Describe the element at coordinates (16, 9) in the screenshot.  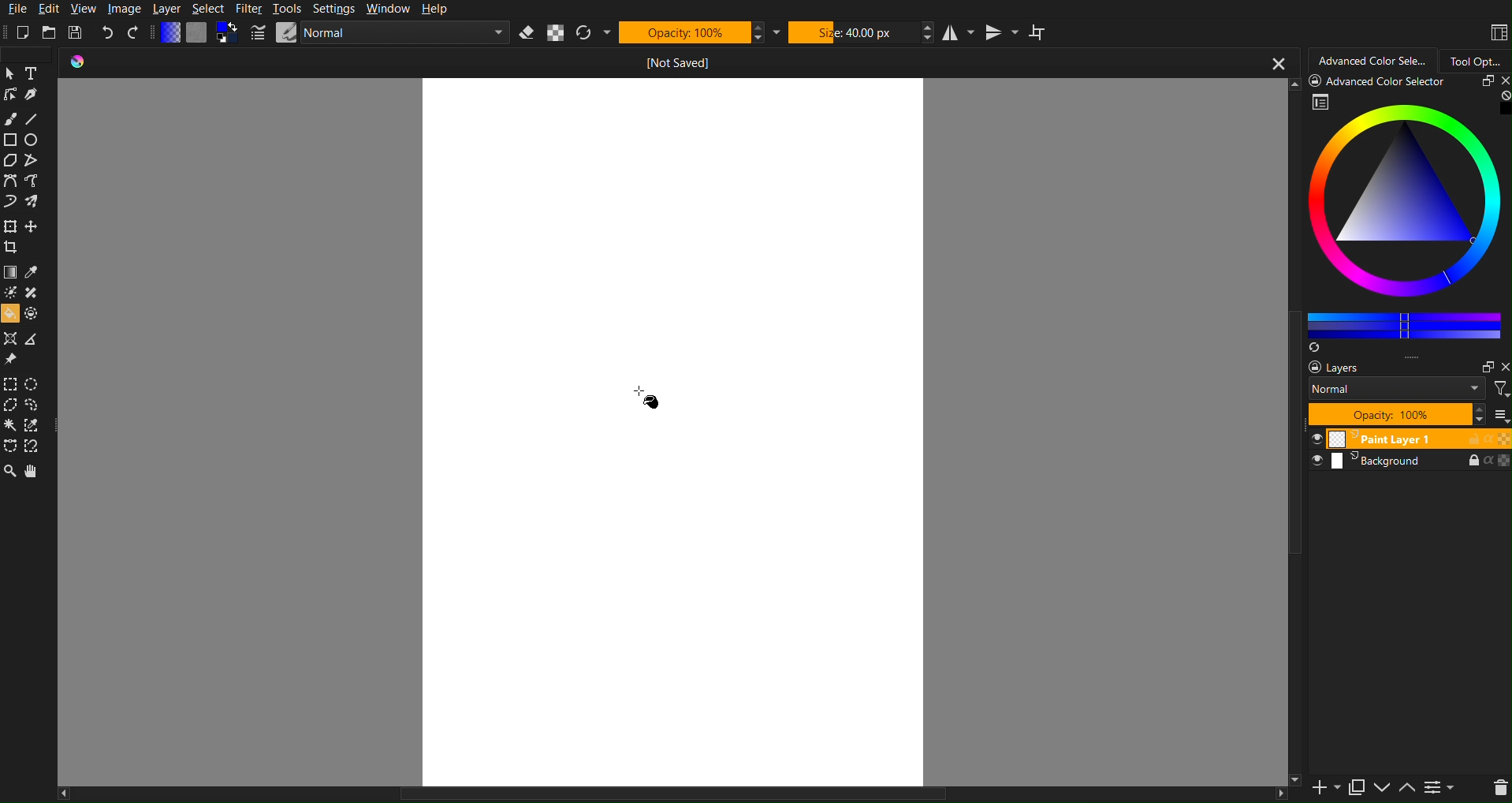
I see `File` at that location.